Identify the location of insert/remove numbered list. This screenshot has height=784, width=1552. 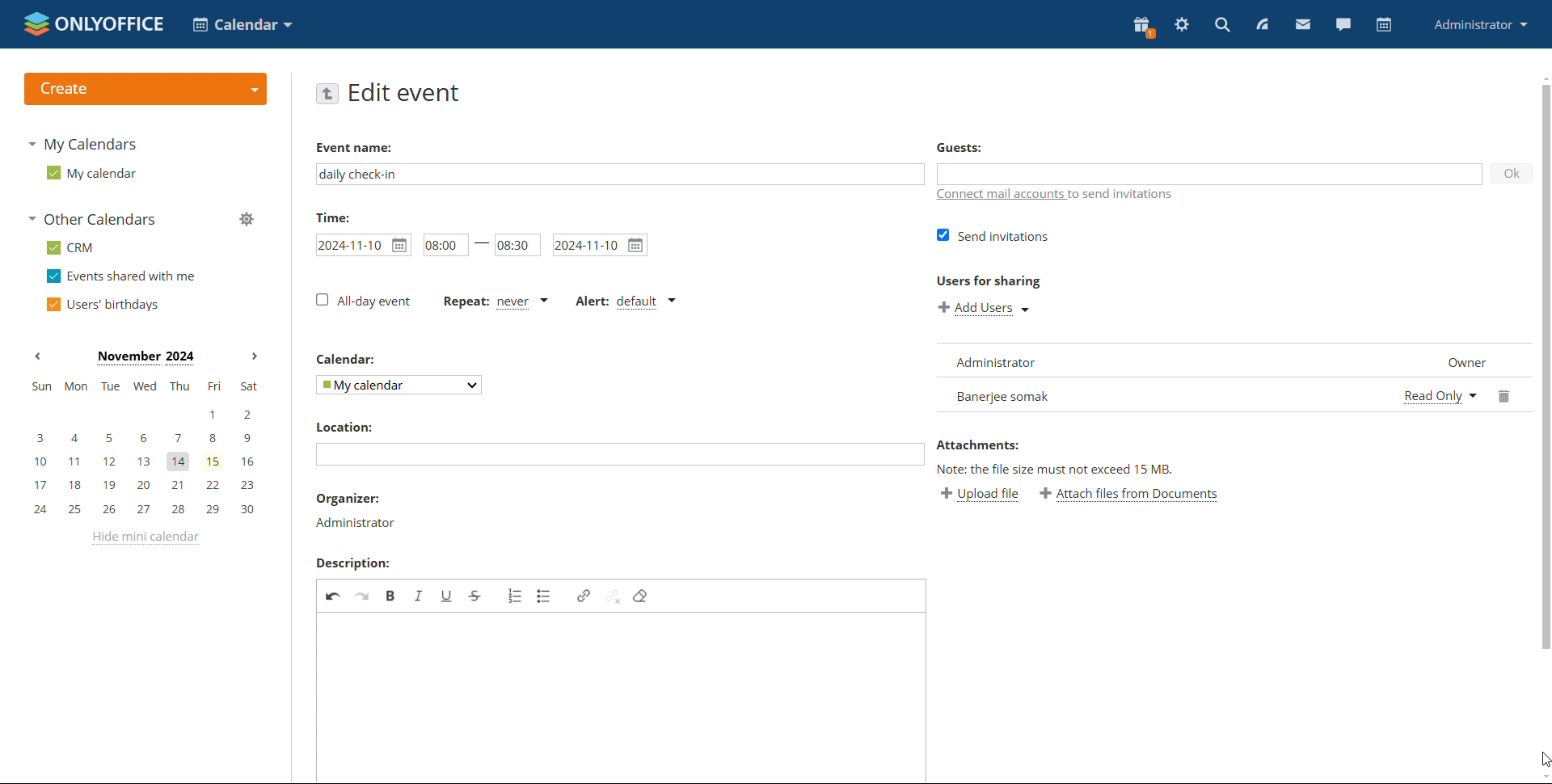
(514, 596).